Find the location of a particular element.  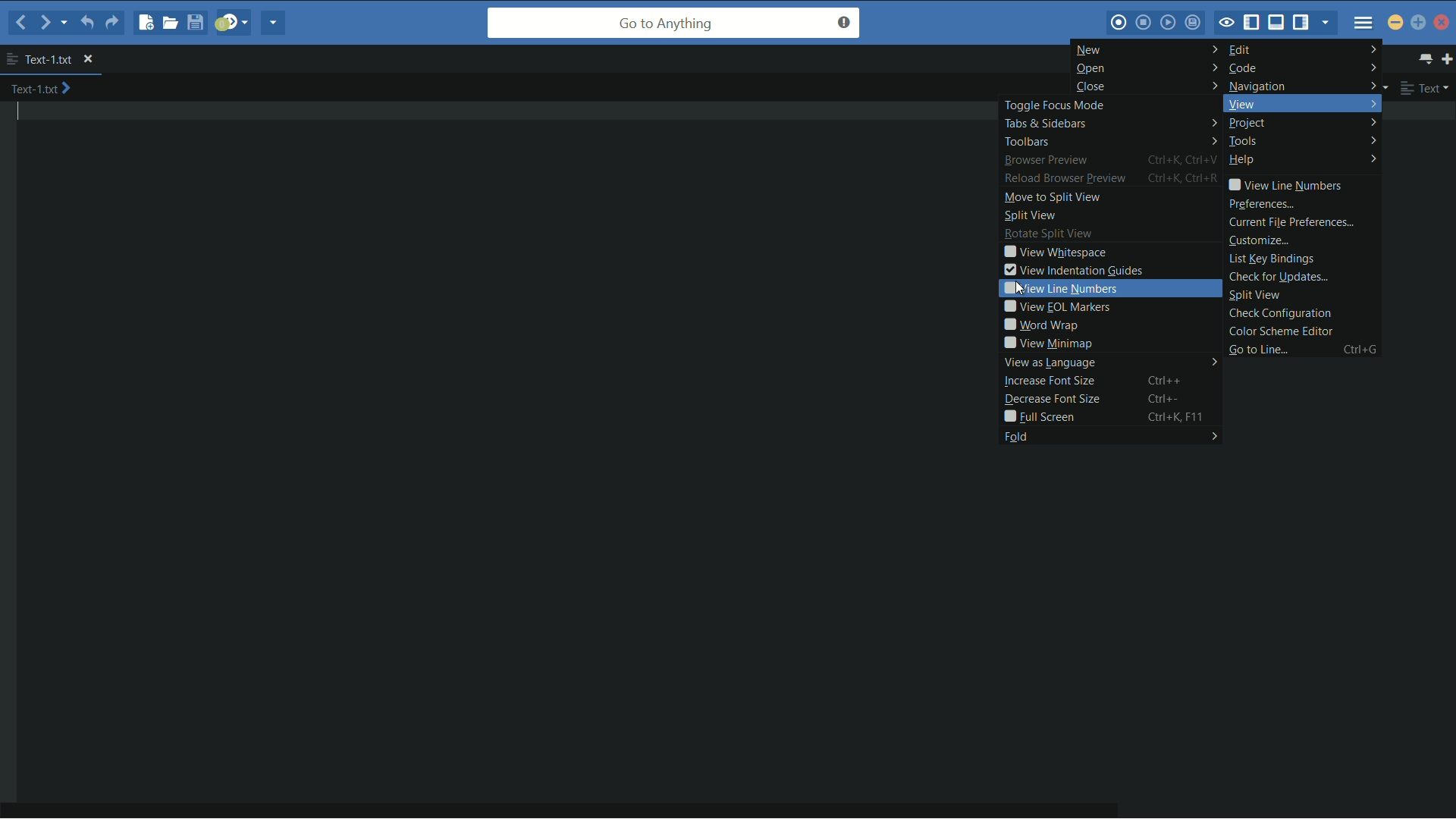

current file preferences is located at coordinates (1291, 222).